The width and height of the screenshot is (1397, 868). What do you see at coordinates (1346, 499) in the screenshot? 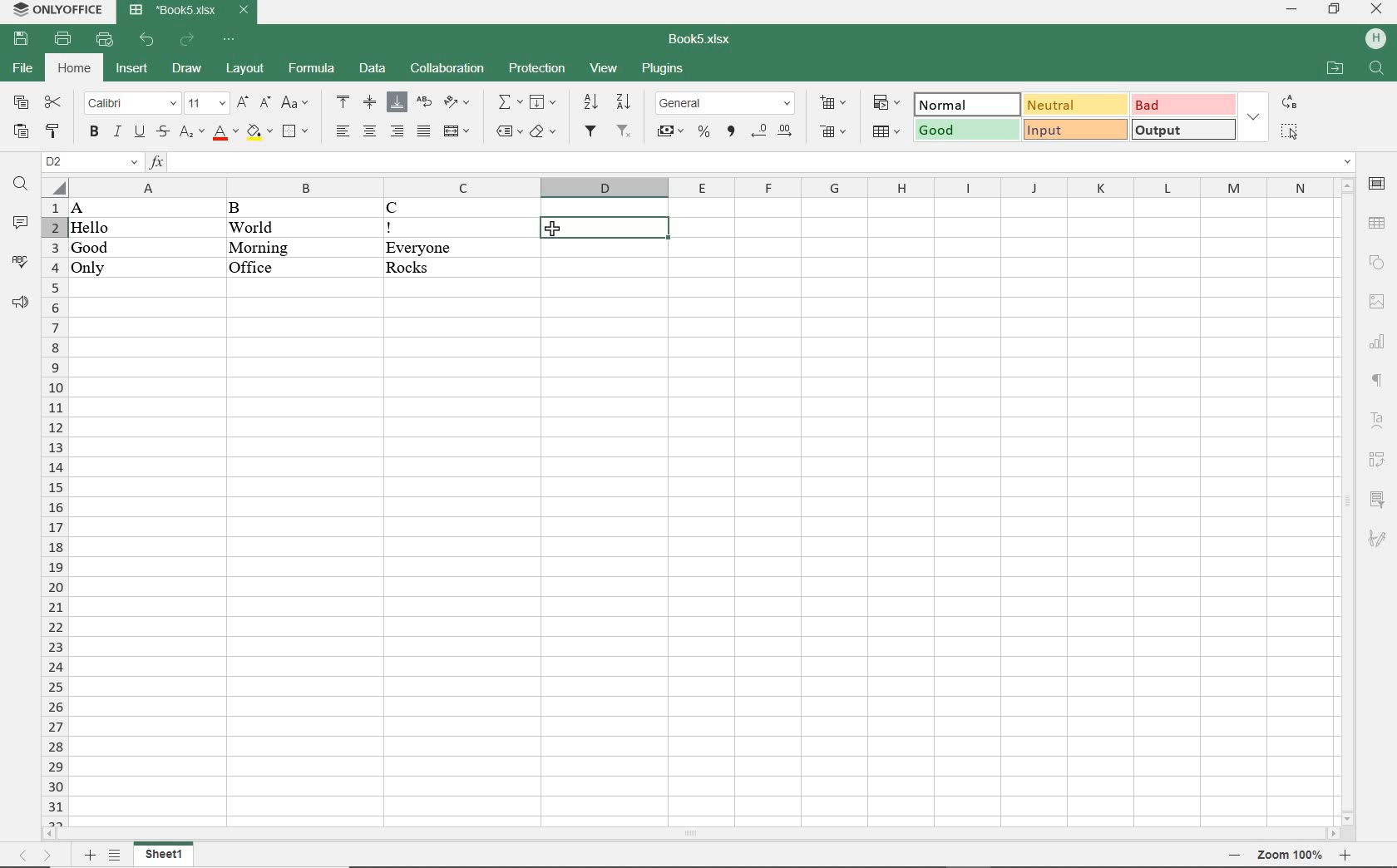
I see `scrollbar` at bounding box center [1346, 499].